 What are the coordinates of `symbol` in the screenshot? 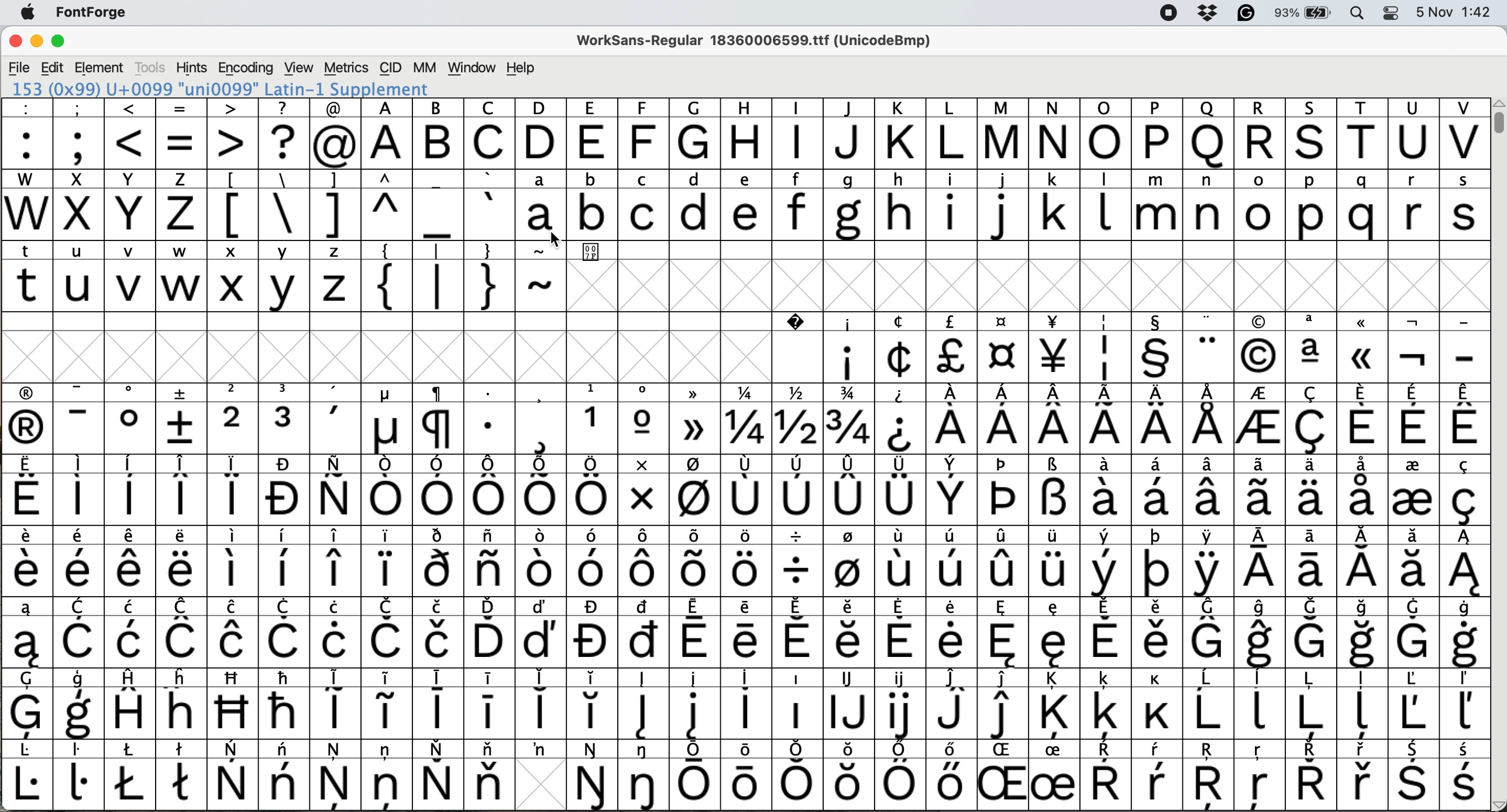 It's located at (539, 703).